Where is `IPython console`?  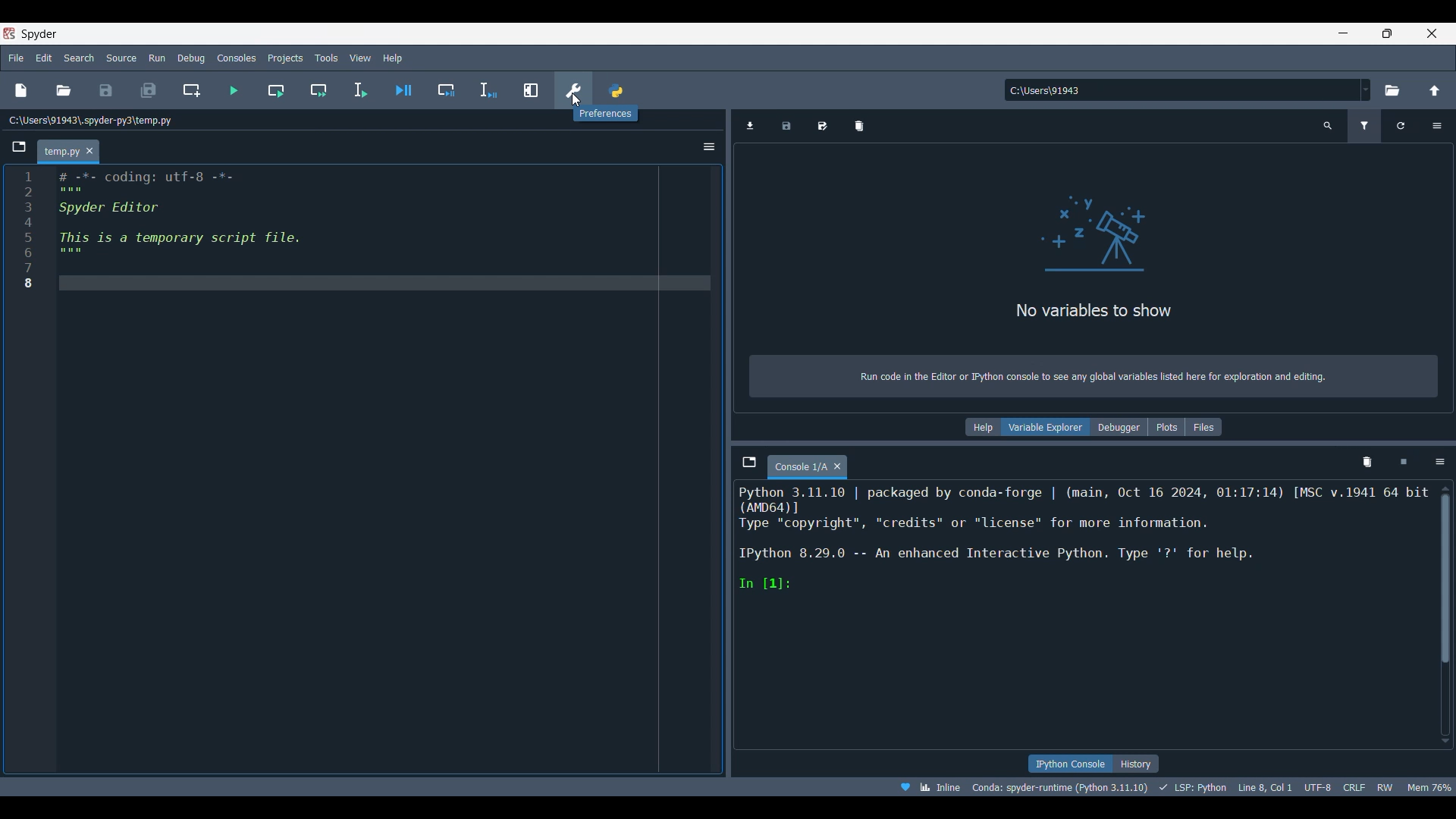 IPython console is located at coordinates (1068, 764).